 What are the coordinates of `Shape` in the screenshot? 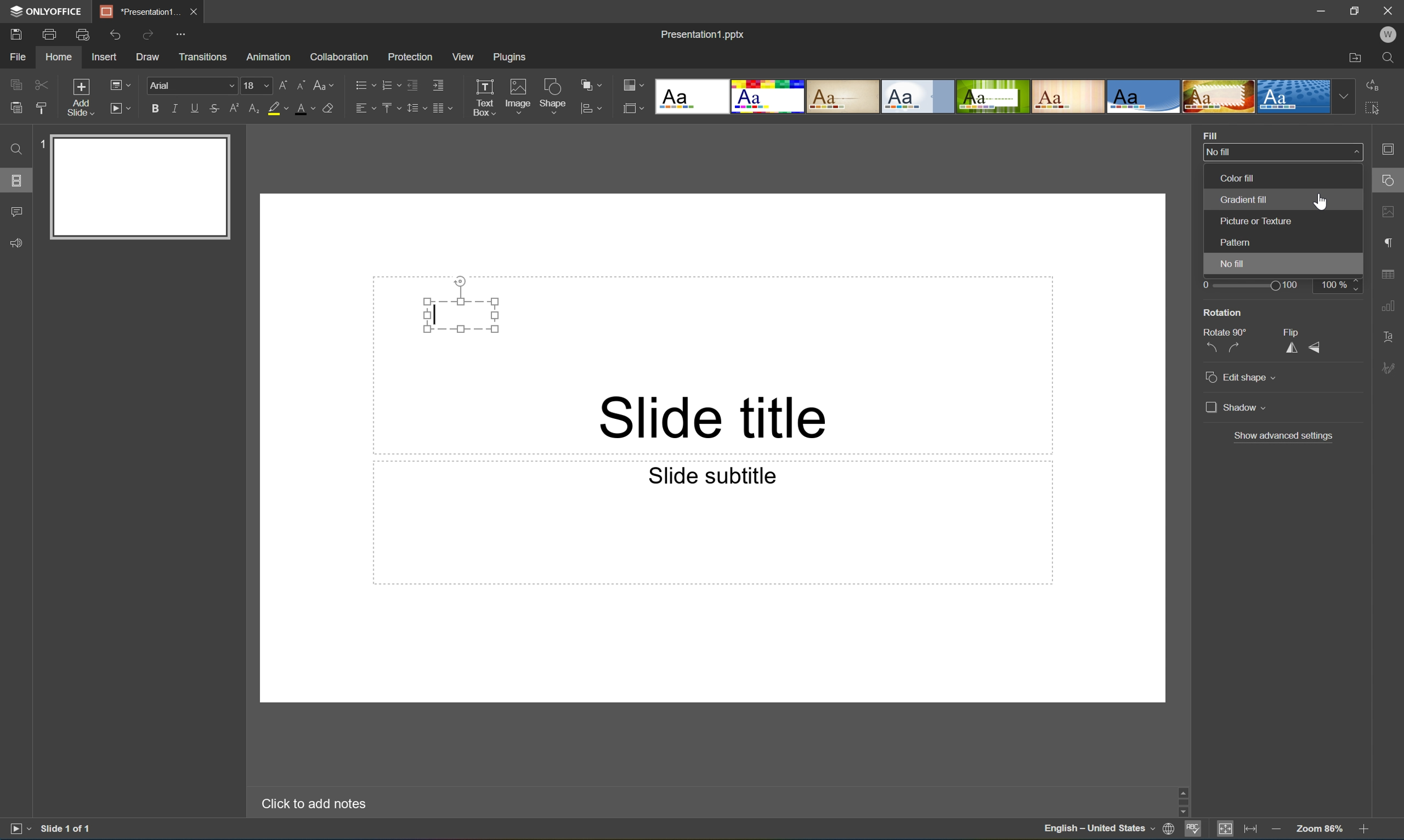 It's located at (554, 98).